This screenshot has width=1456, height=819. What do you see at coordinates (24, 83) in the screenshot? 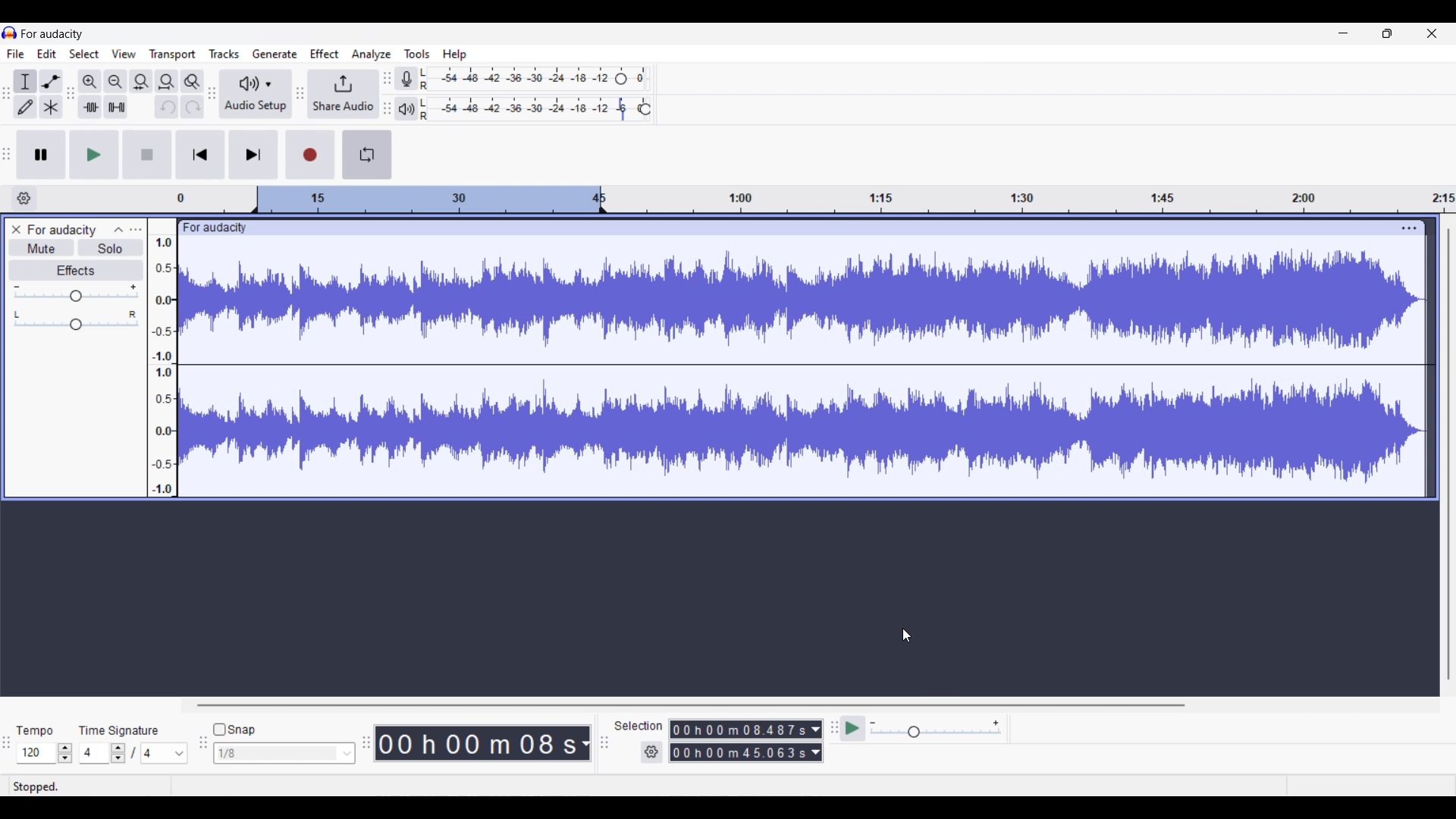
I see `Selection tool` at bounding box center [24, 83].